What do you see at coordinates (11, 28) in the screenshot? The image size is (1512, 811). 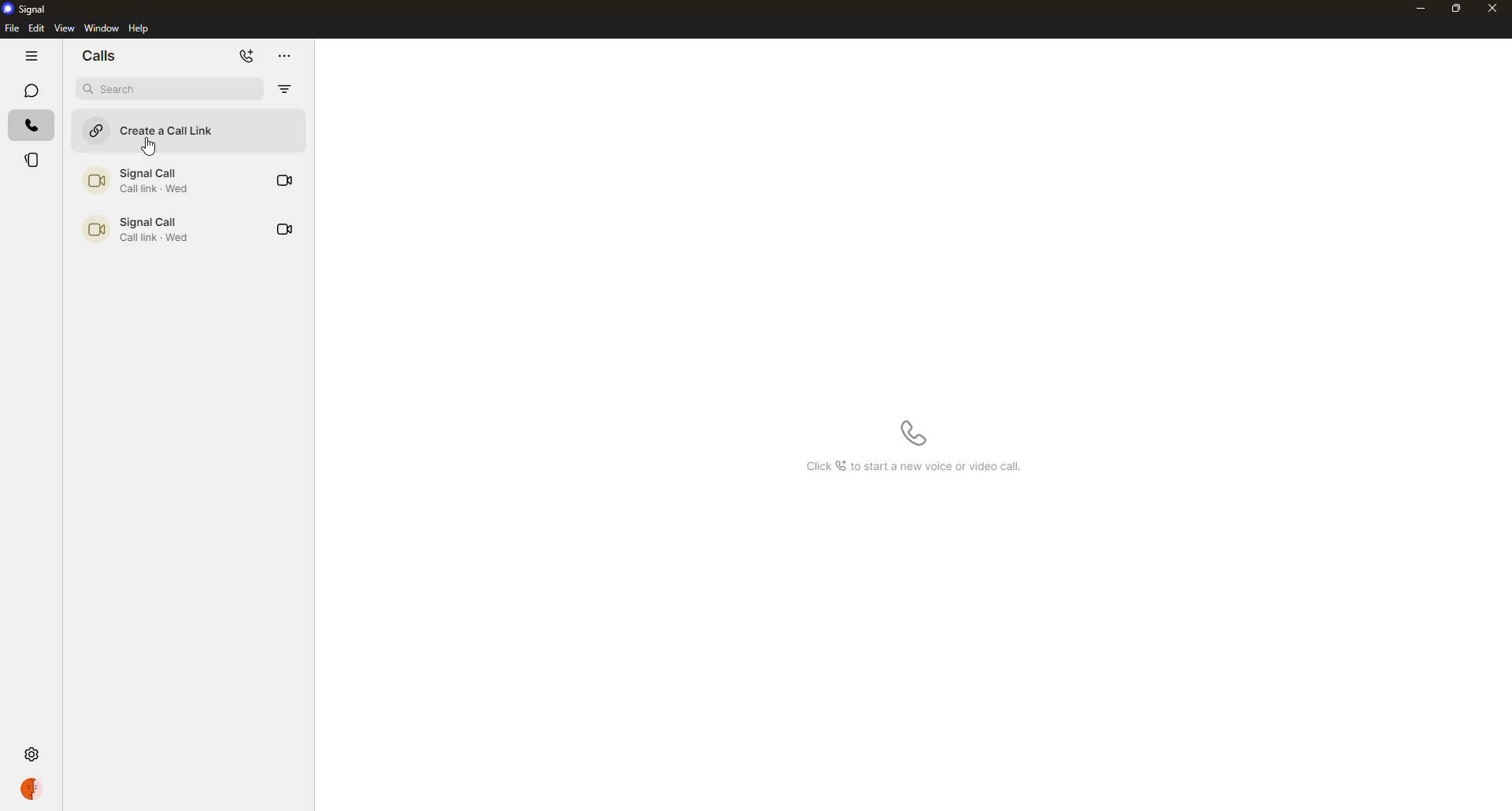 I see `file` at bounding box center [11, 28].